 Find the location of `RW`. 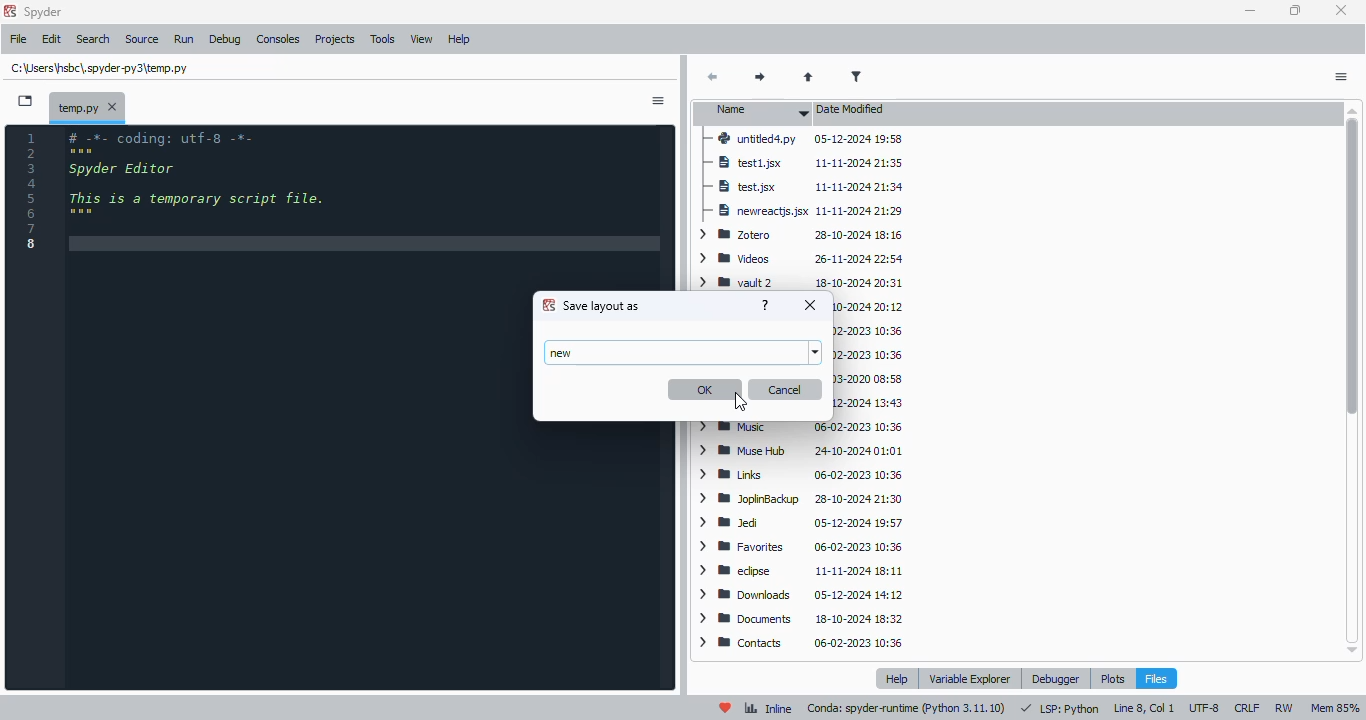

RW is located at coordinates (1284, 707).